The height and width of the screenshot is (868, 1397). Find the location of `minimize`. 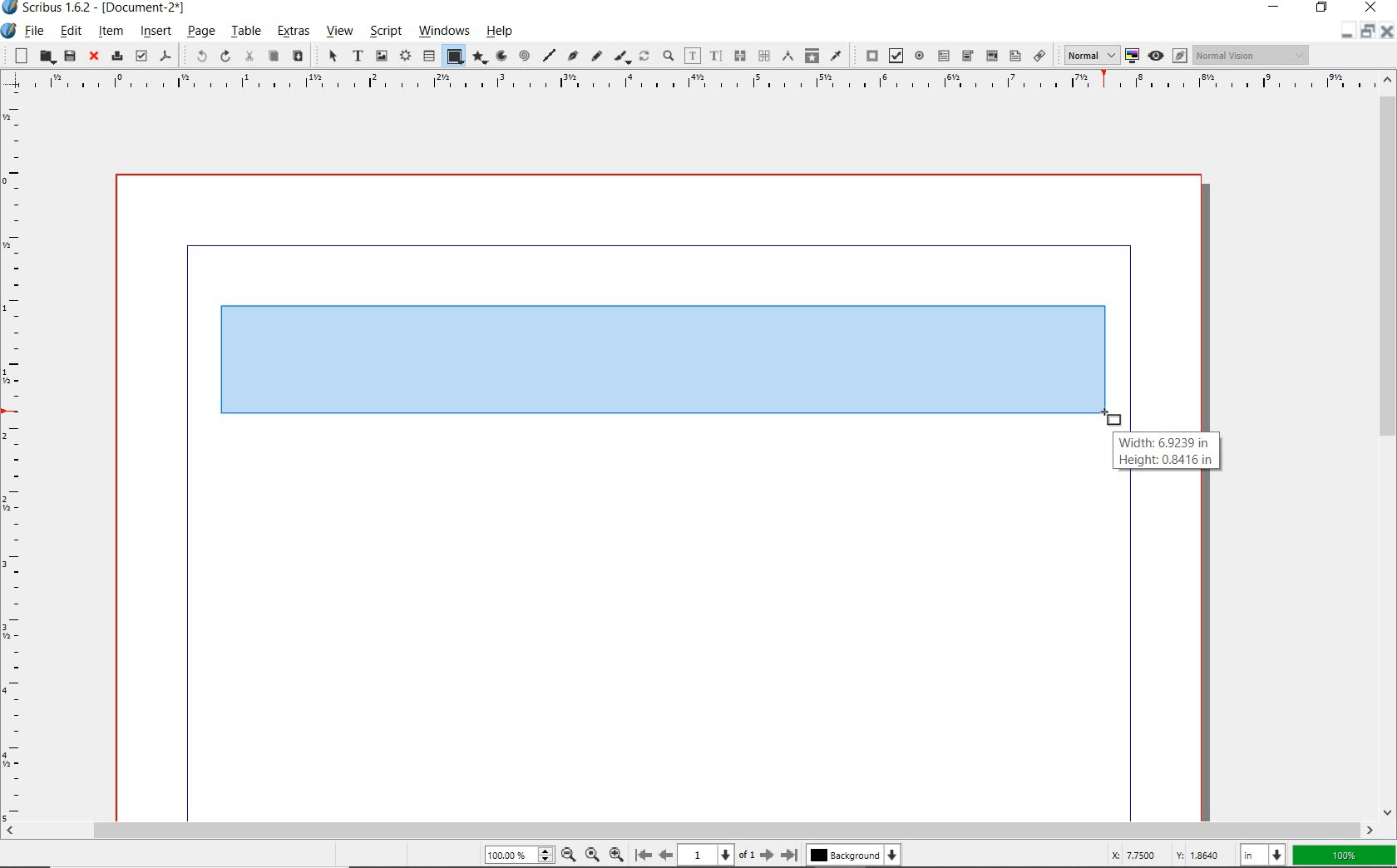

minimize is located at coordinates (1275, 7).